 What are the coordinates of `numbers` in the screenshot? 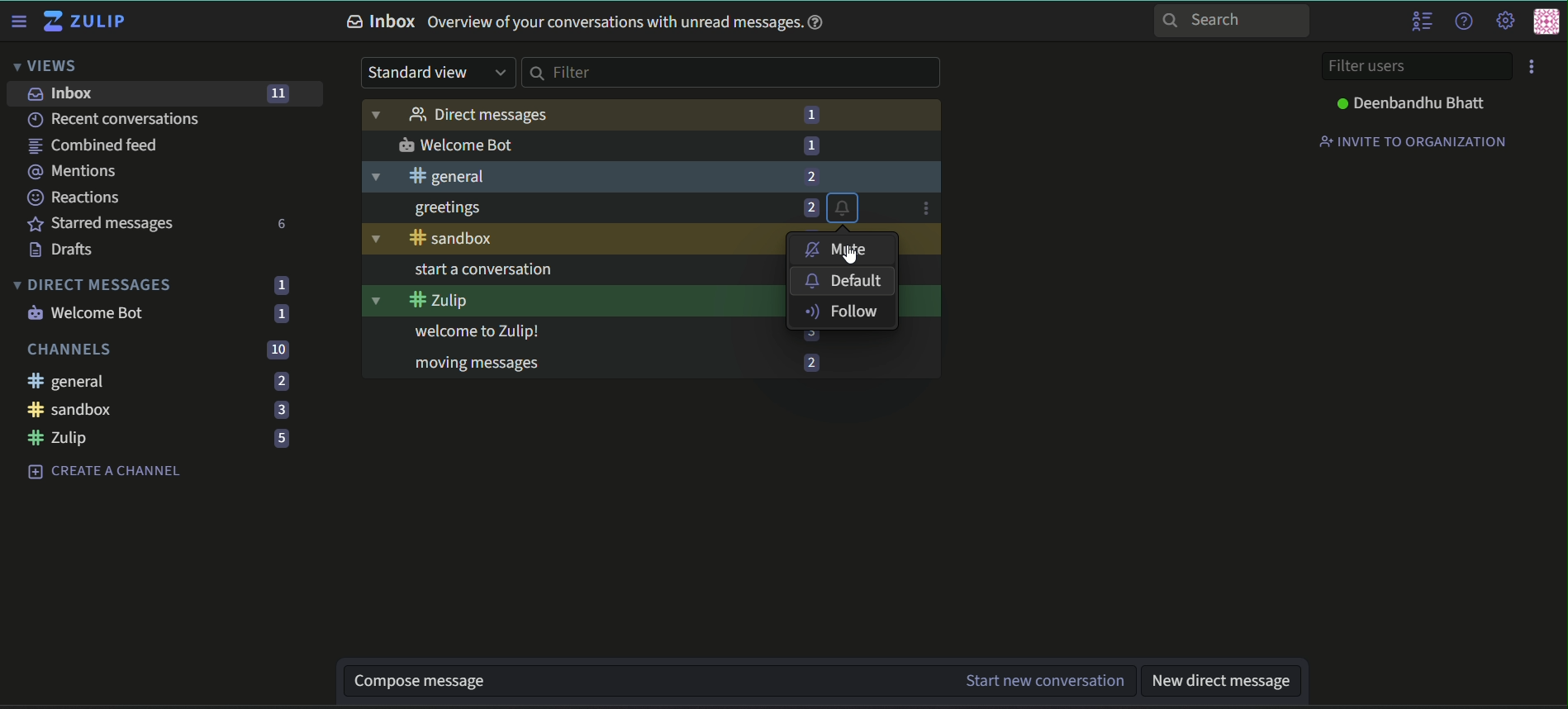 It's located at (278, 349).